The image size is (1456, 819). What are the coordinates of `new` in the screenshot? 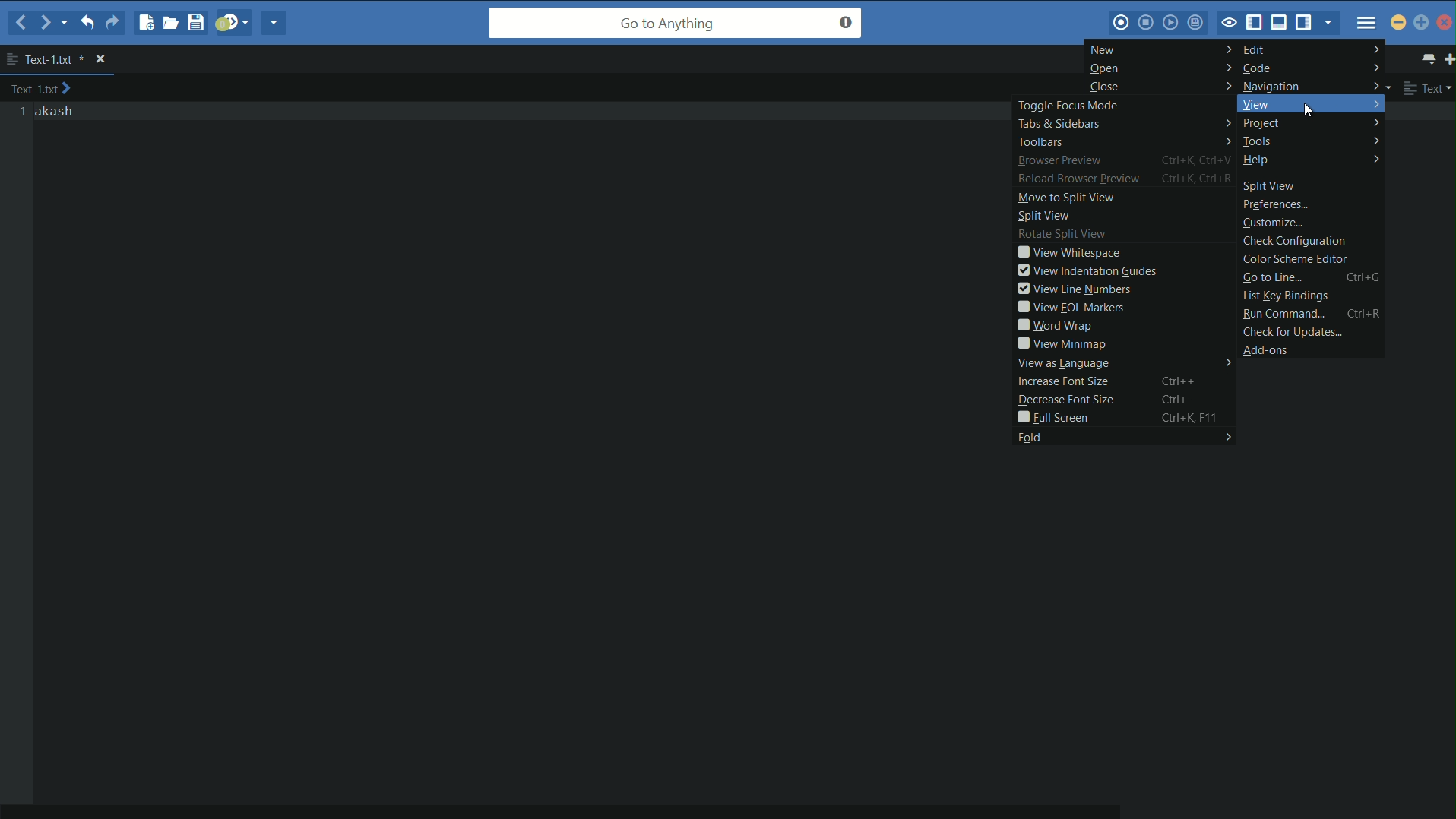 It's located at (1160, 49).